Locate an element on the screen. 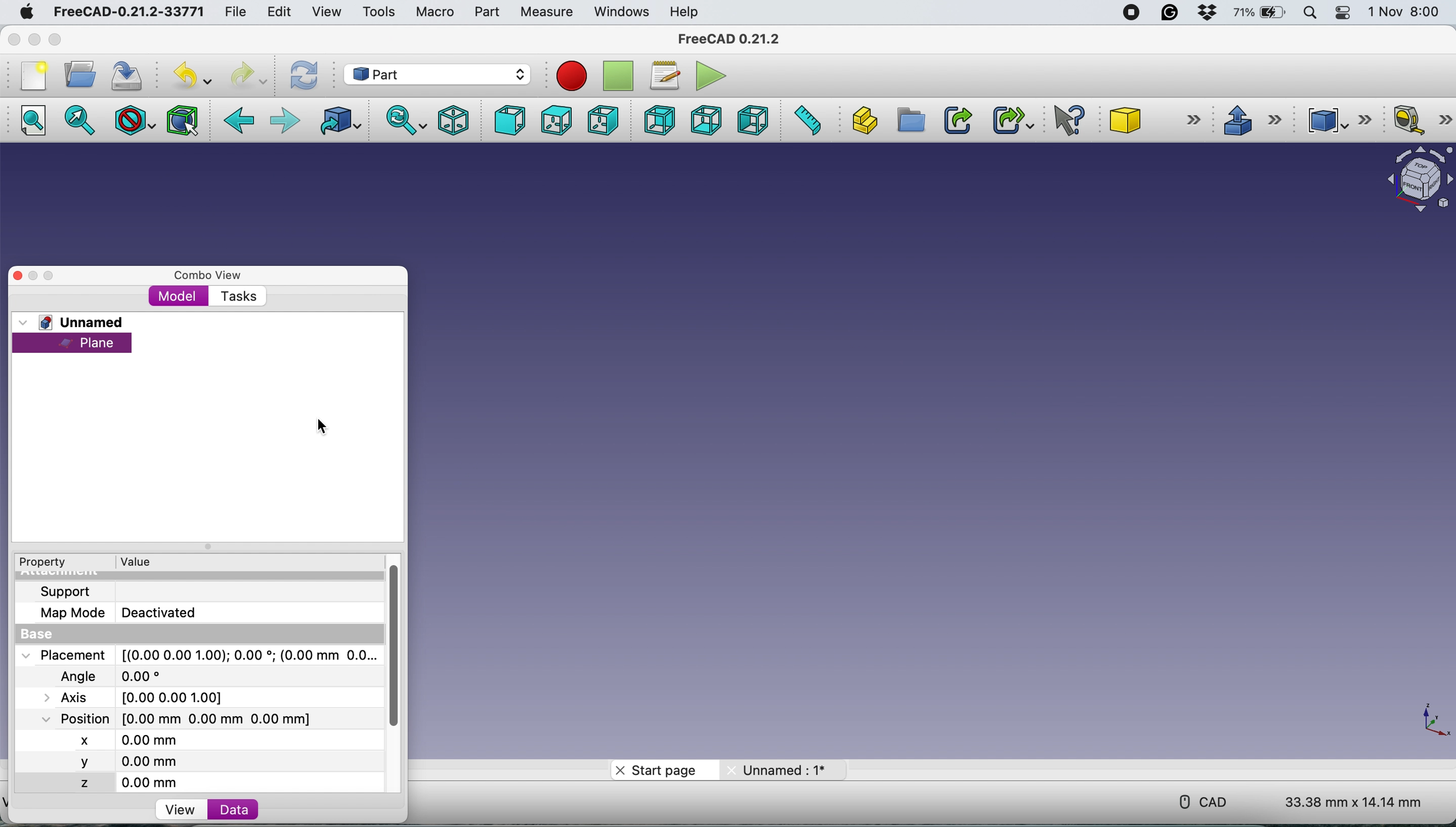  create group is located at coordinates (918, 120).